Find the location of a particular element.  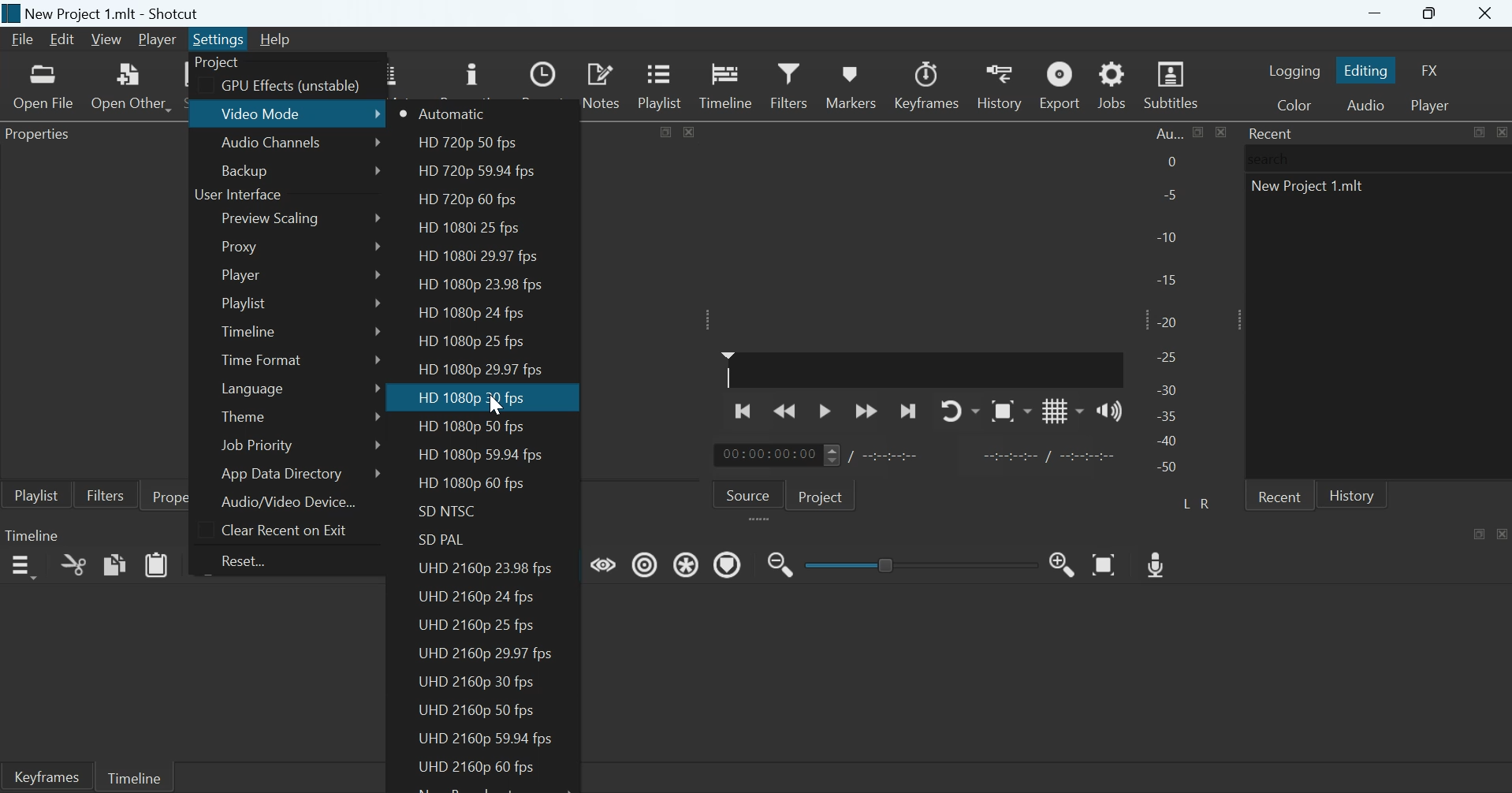

Skip to the next point is located at coordinates (907, 412).